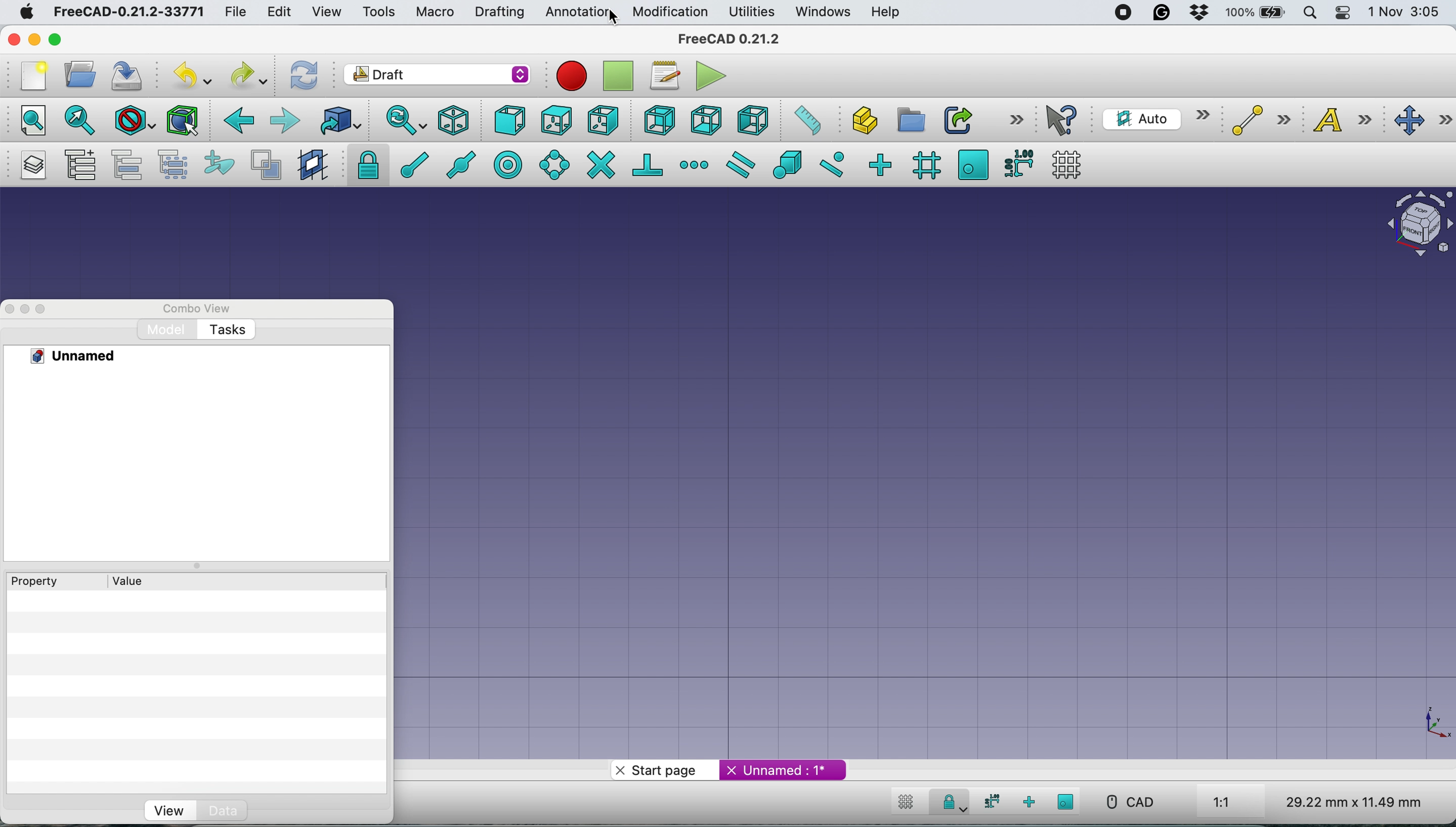  I want to click on fit all, so click(33, 120).